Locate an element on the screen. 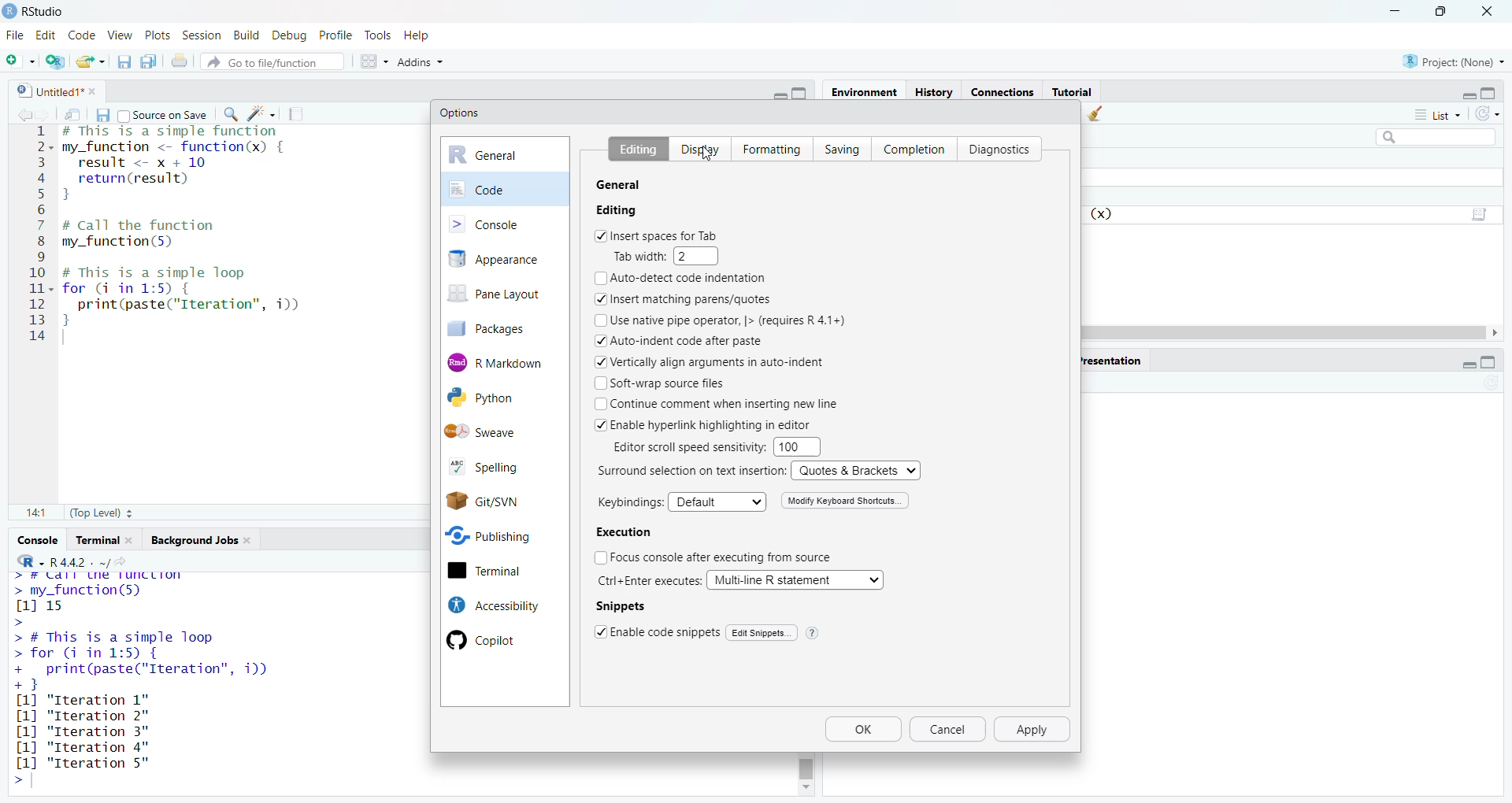  [1] "Iteration 2" is located at coordinates (86, 716).